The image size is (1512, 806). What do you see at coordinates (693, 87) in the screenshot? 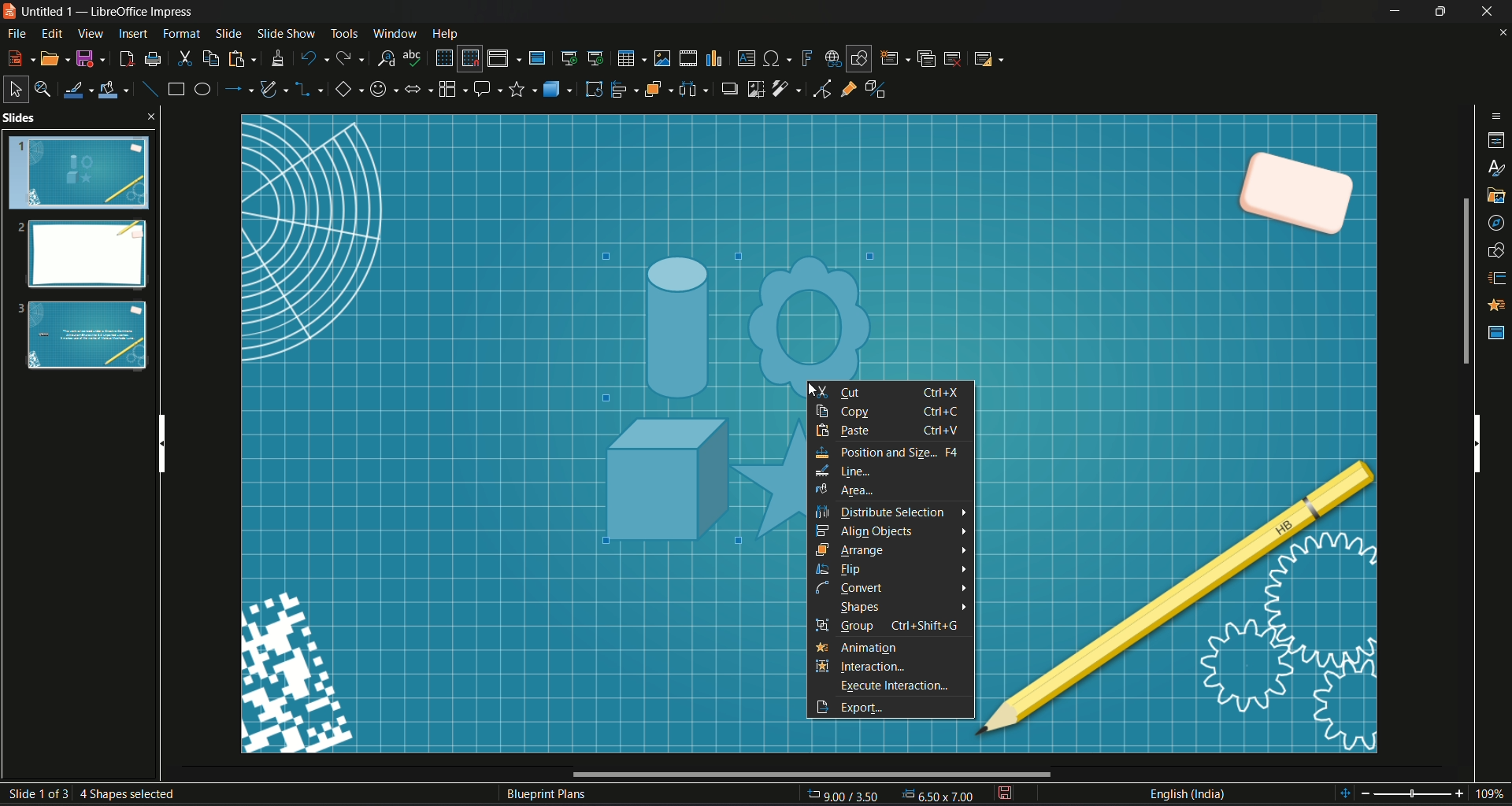
I see `select image` at bounding box center [693, 87].